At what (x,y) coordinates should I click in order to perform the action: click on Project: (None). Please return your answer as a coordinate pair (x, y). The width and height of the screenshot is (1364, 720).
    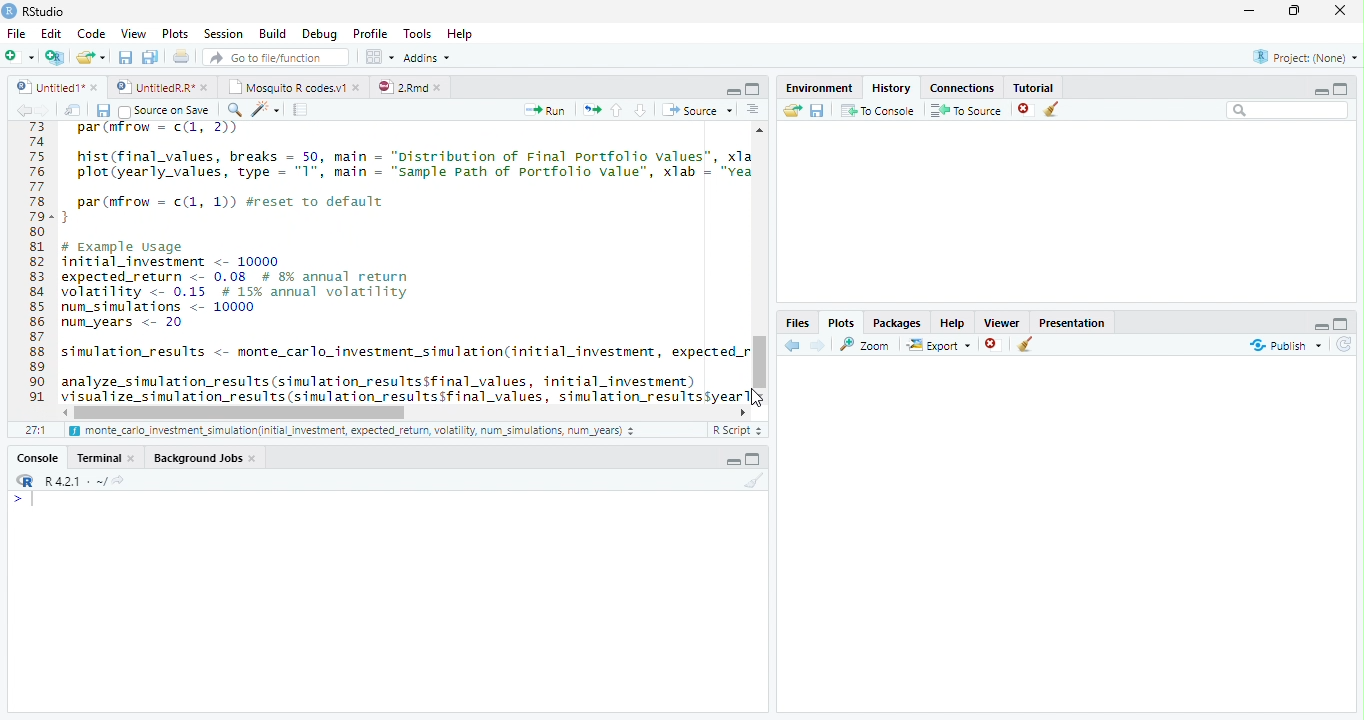
    Looking at the image, I should click on (1301, 58).